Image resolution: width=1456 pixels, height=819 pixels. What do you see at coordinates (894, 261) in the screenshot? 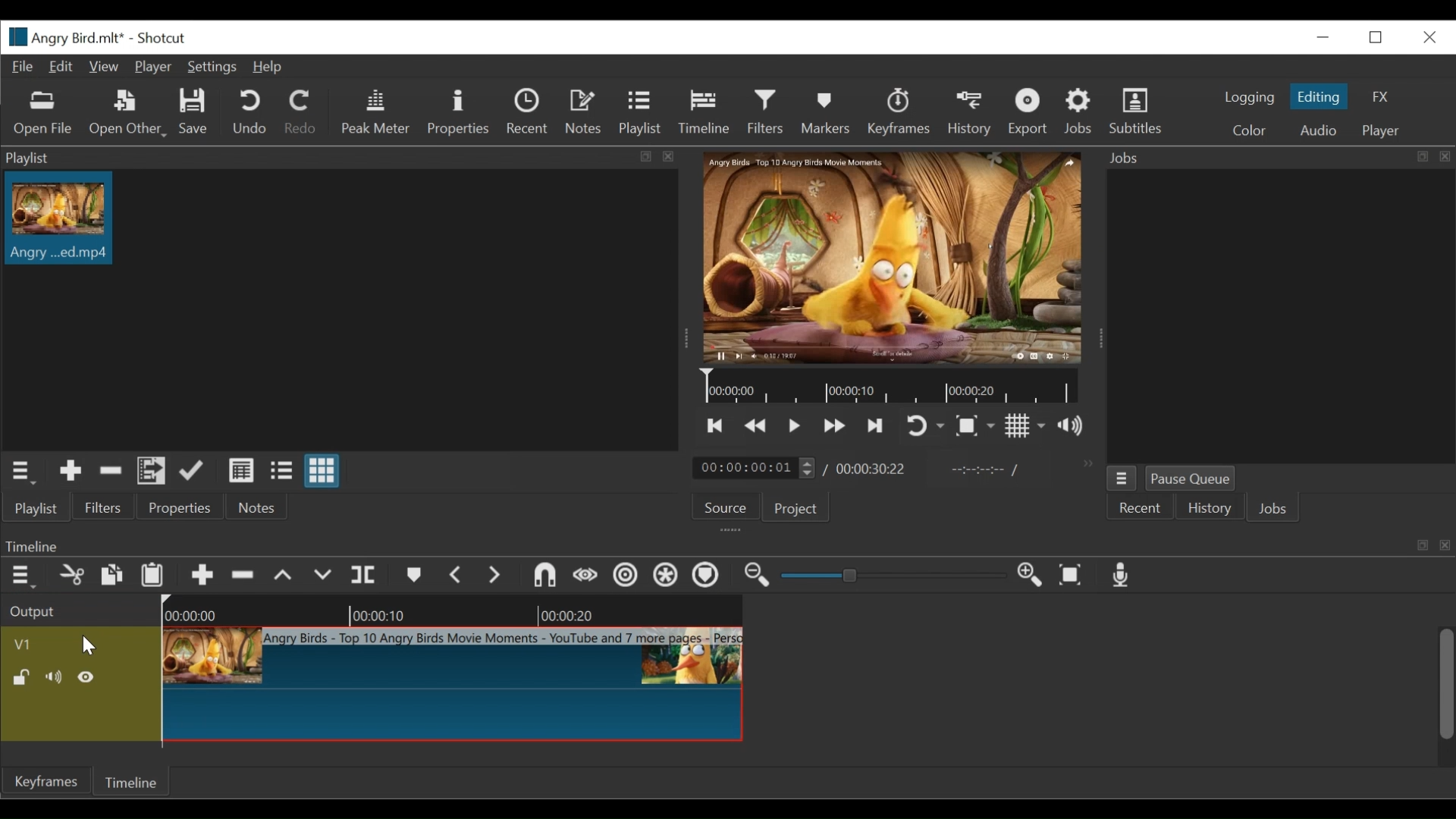
I see `Media Viewer` at bounding box center [894, 261].